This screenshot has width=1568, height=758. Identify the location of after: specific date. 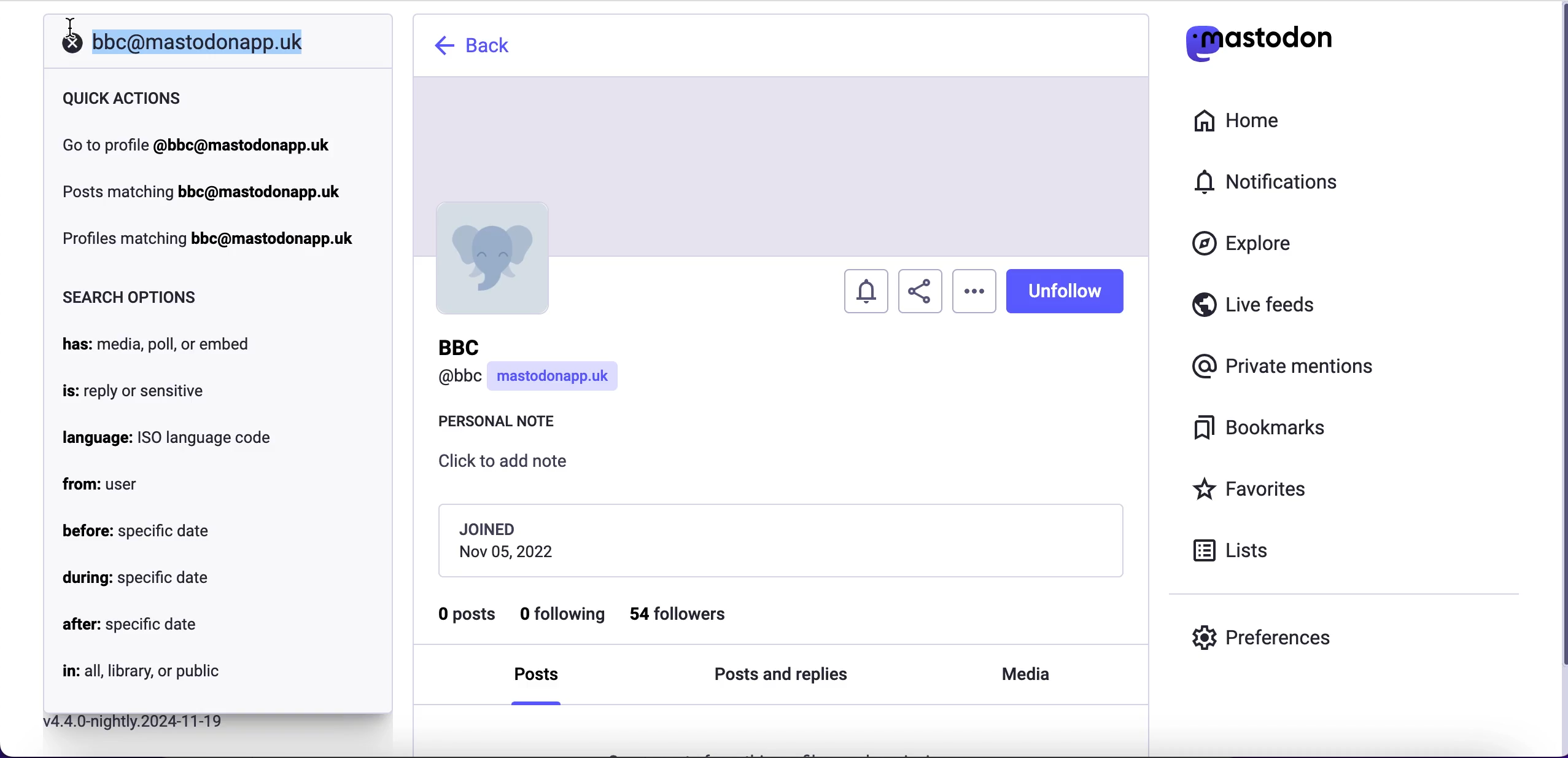
(130, 628).